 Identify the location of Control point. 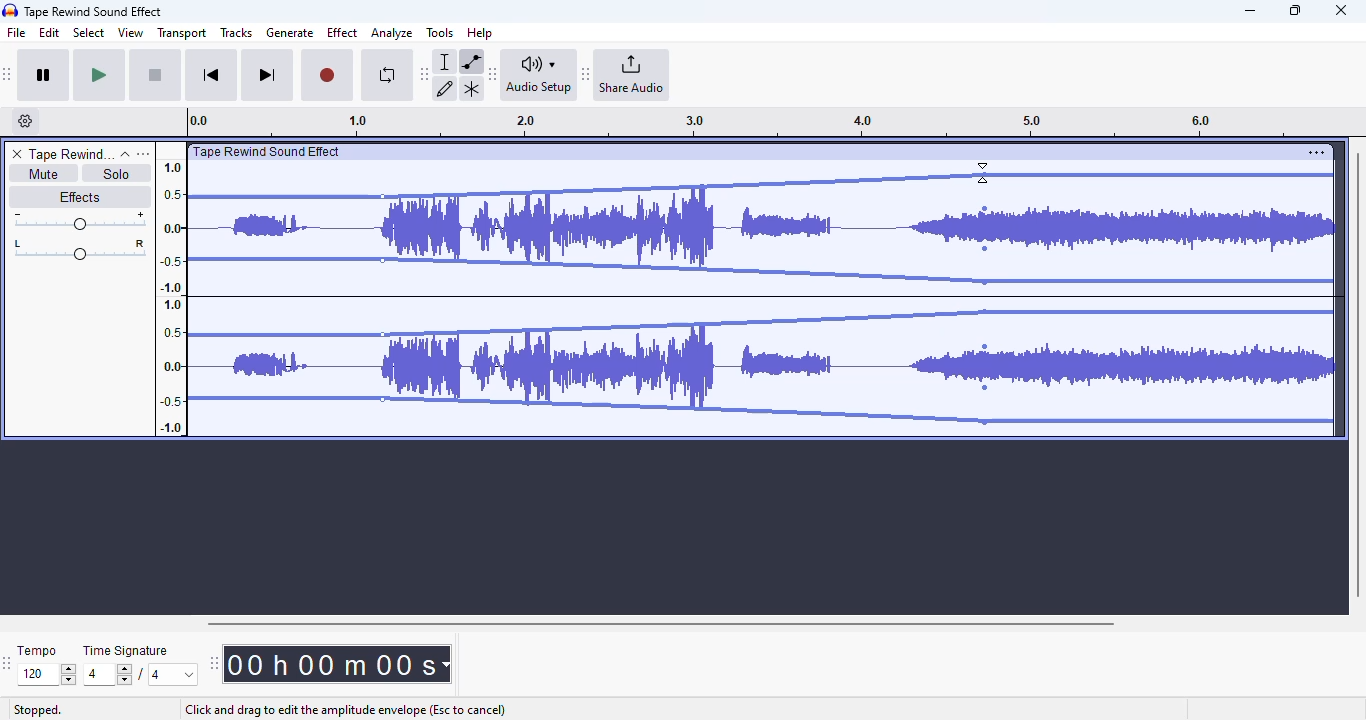
(383, 197).